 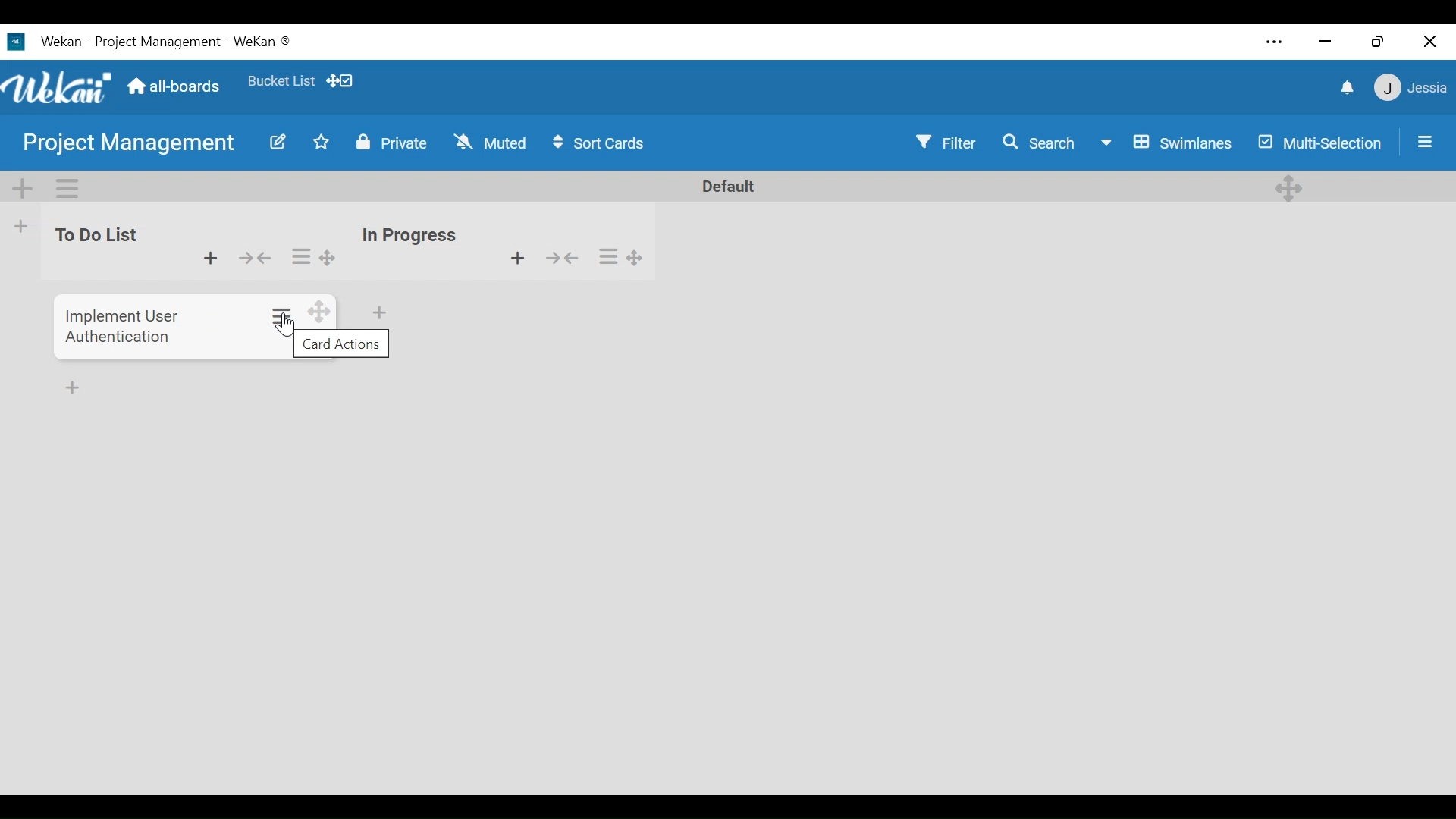 I want to click on Close, so click(x=1427, y=42).